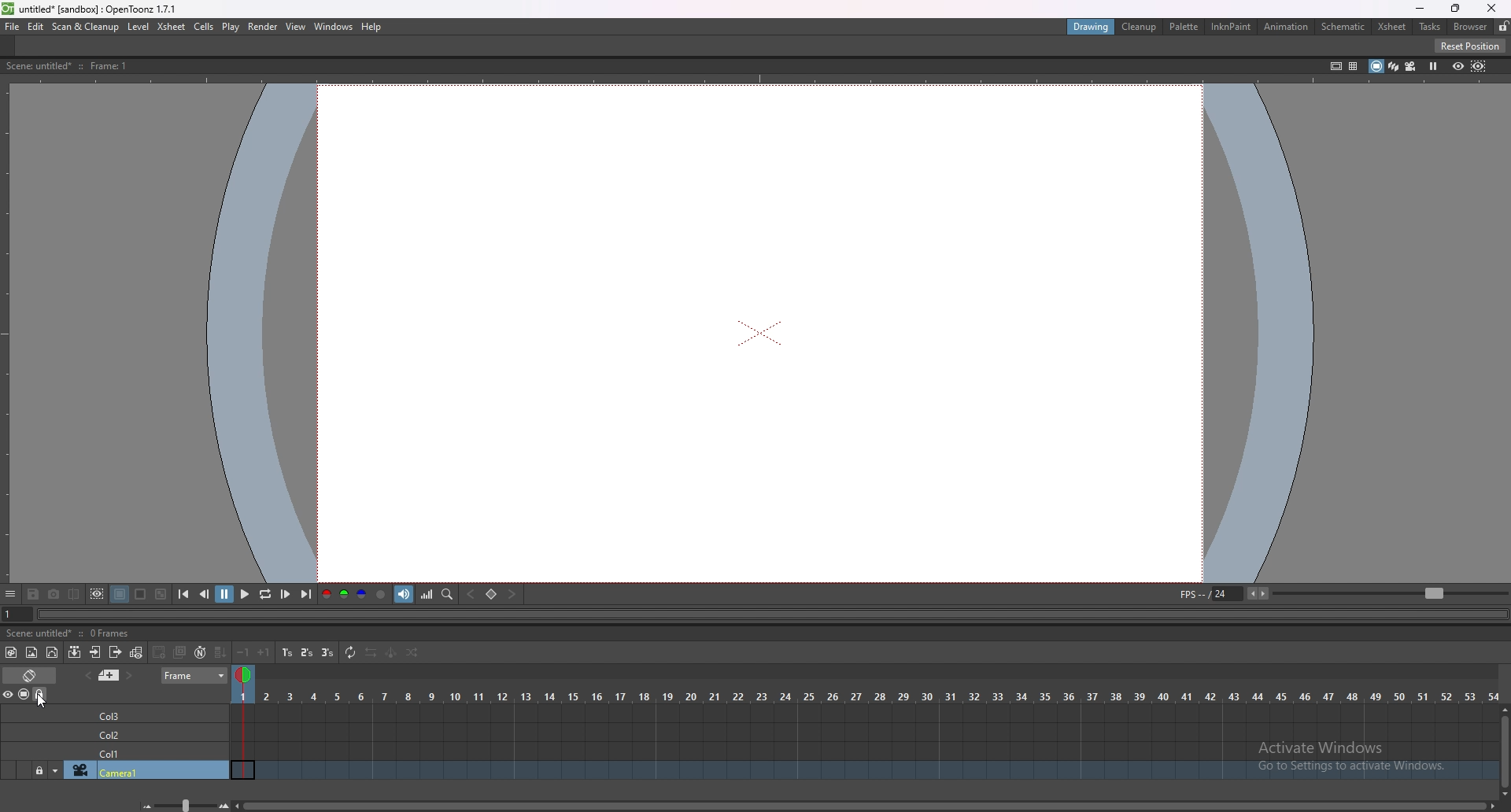 This screenshot has width=1511, height=812. What do you see at coordinates (307, 652) in the screenshot?
I see `reframe on 2s` at bounding box center [307, 652].